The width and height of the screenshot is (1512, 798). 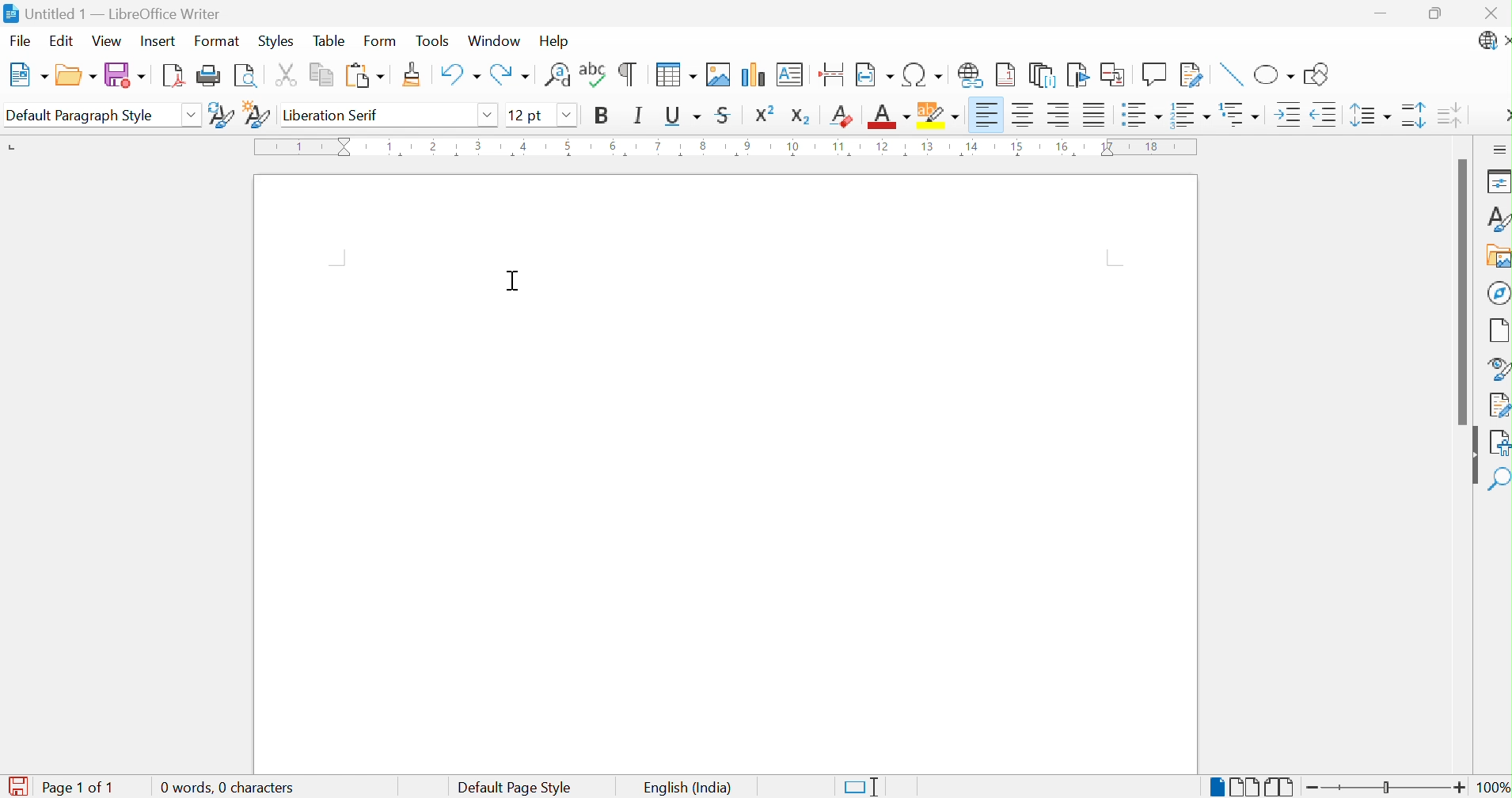 What do you see at coordinates (218, 42) in the screenshot?
I see `Format` at bounding box center [218, 42].